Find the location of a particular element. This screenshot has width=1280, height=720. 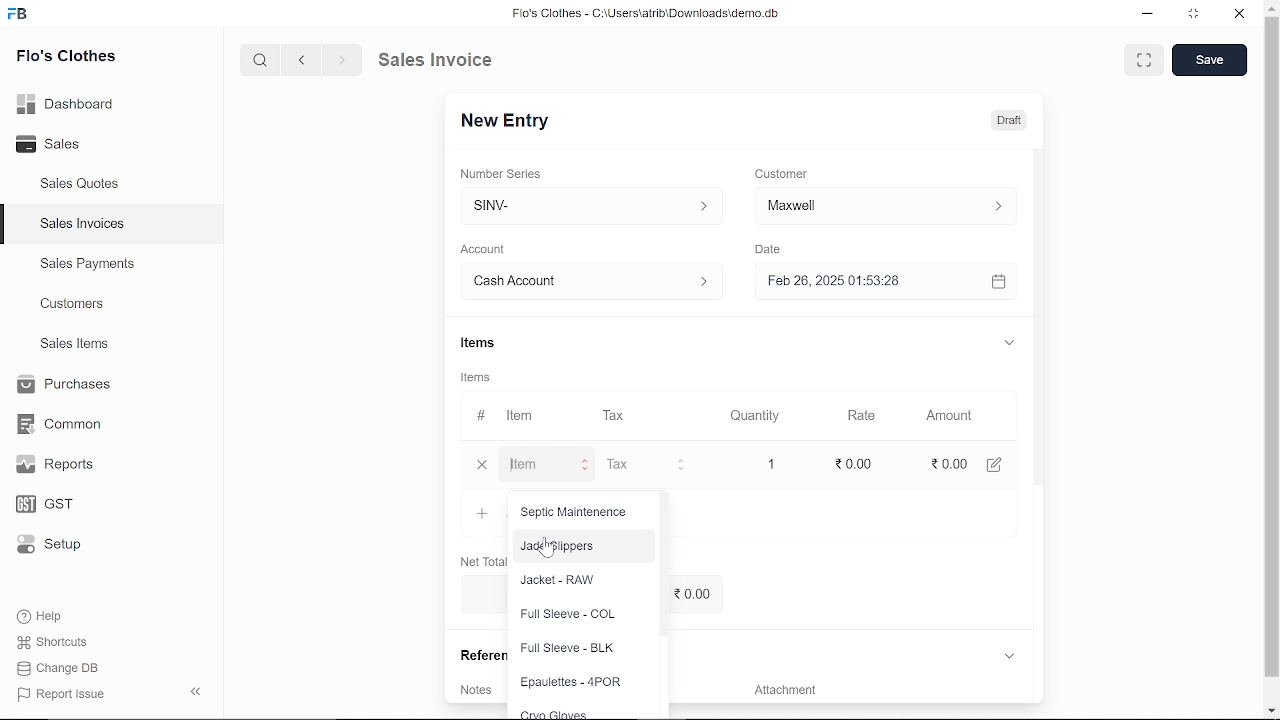

Change DB is located at coordinates (64, 668).